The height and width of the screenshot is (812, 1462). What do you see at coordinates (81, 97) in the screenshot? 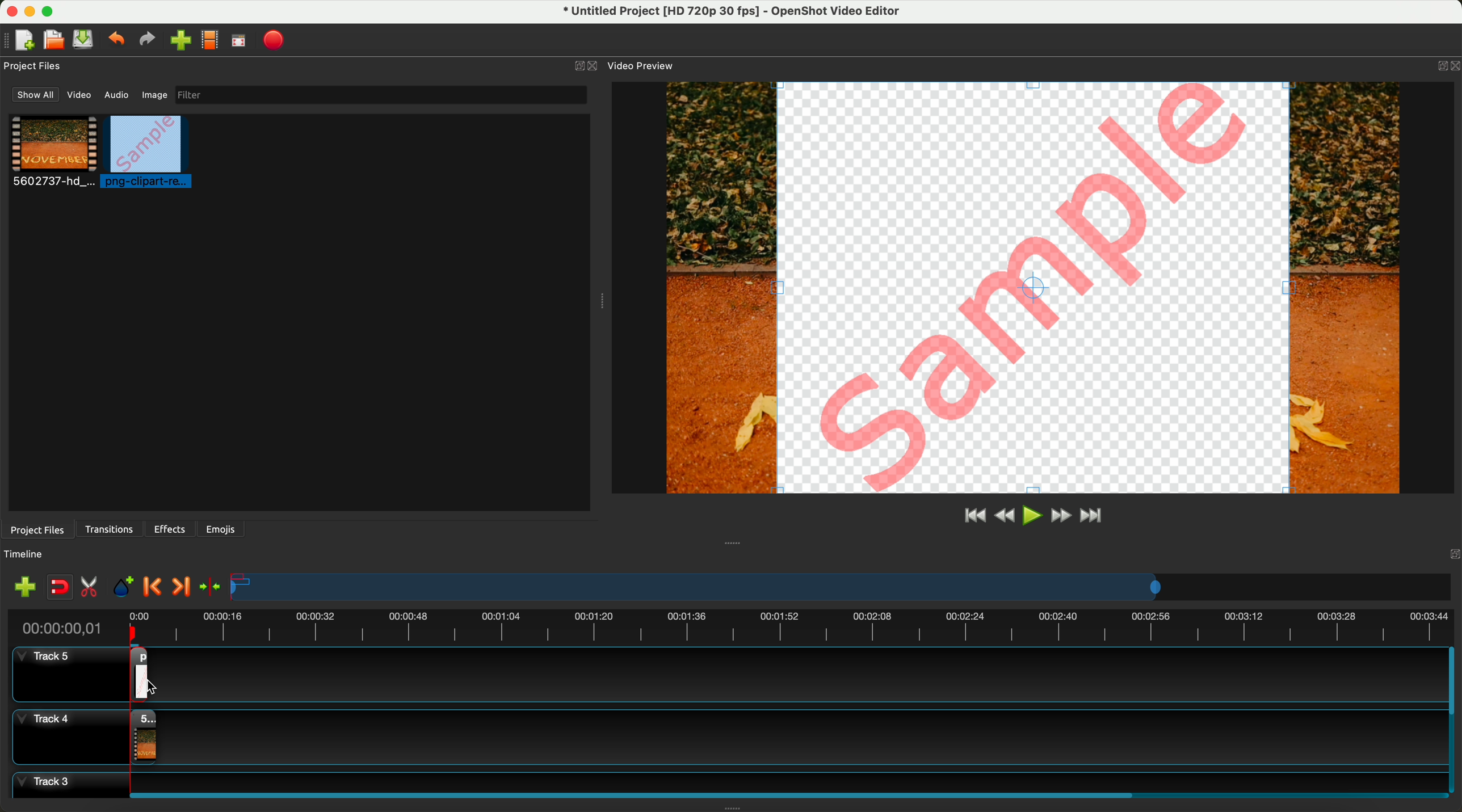
I see `video` at bounding box center [81, 97].